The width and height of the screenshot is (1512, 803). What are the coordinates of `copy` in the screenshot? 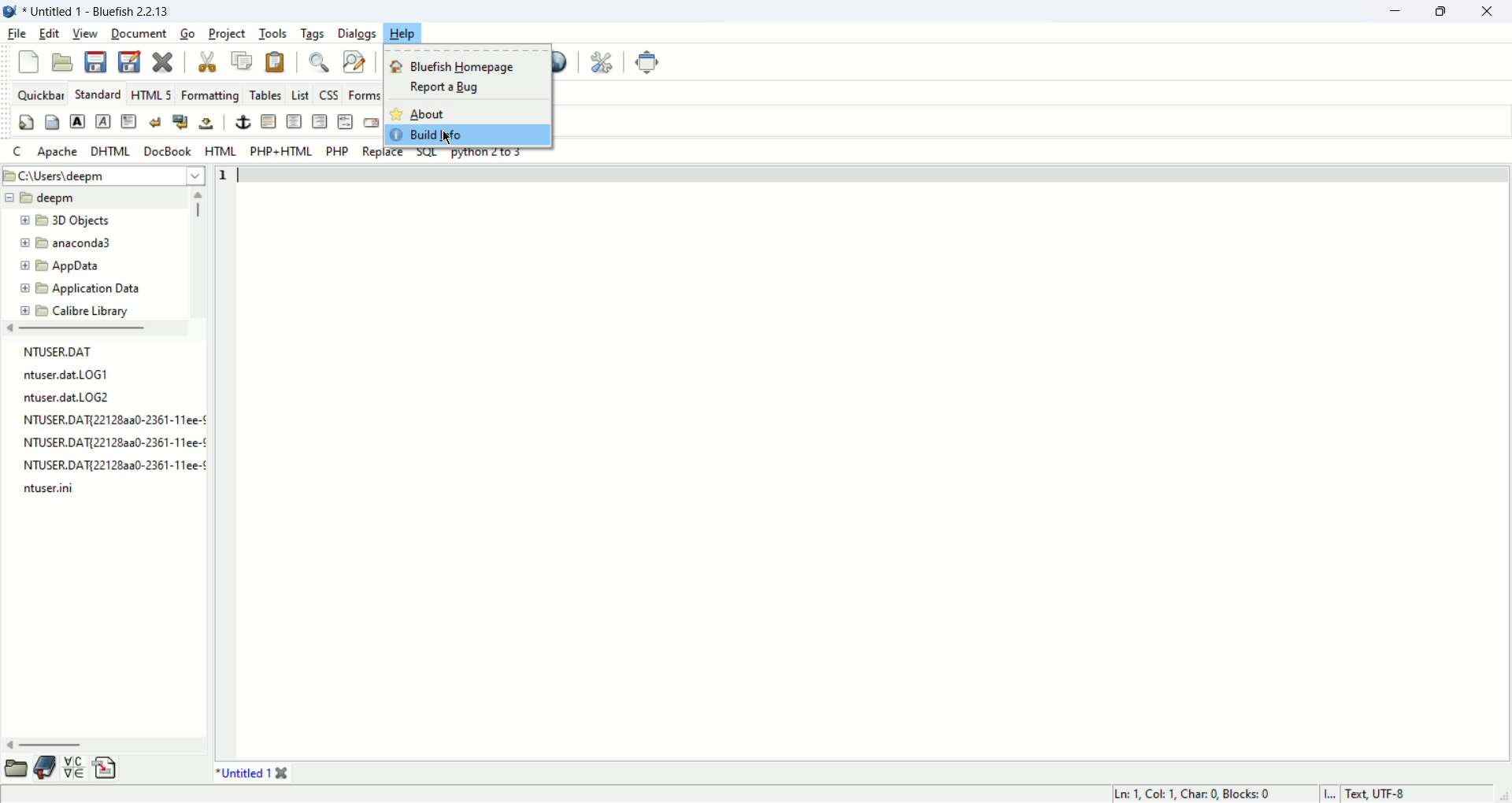 It's located at (242, 61).